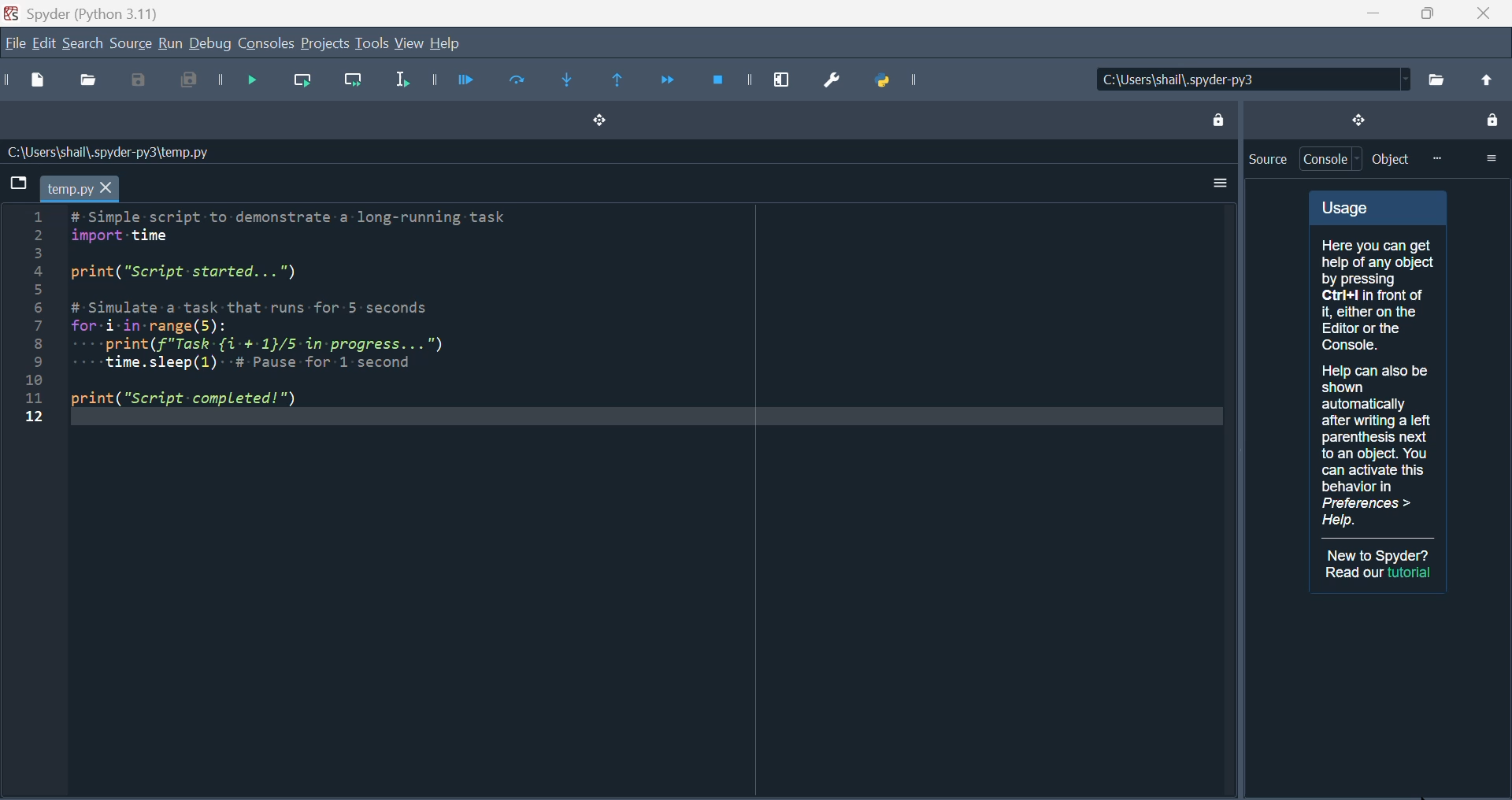 This screenshot has width=1512, height=800. Describe the element at coordinates (130, 43) in the screenshot. I see `Source` at that location.